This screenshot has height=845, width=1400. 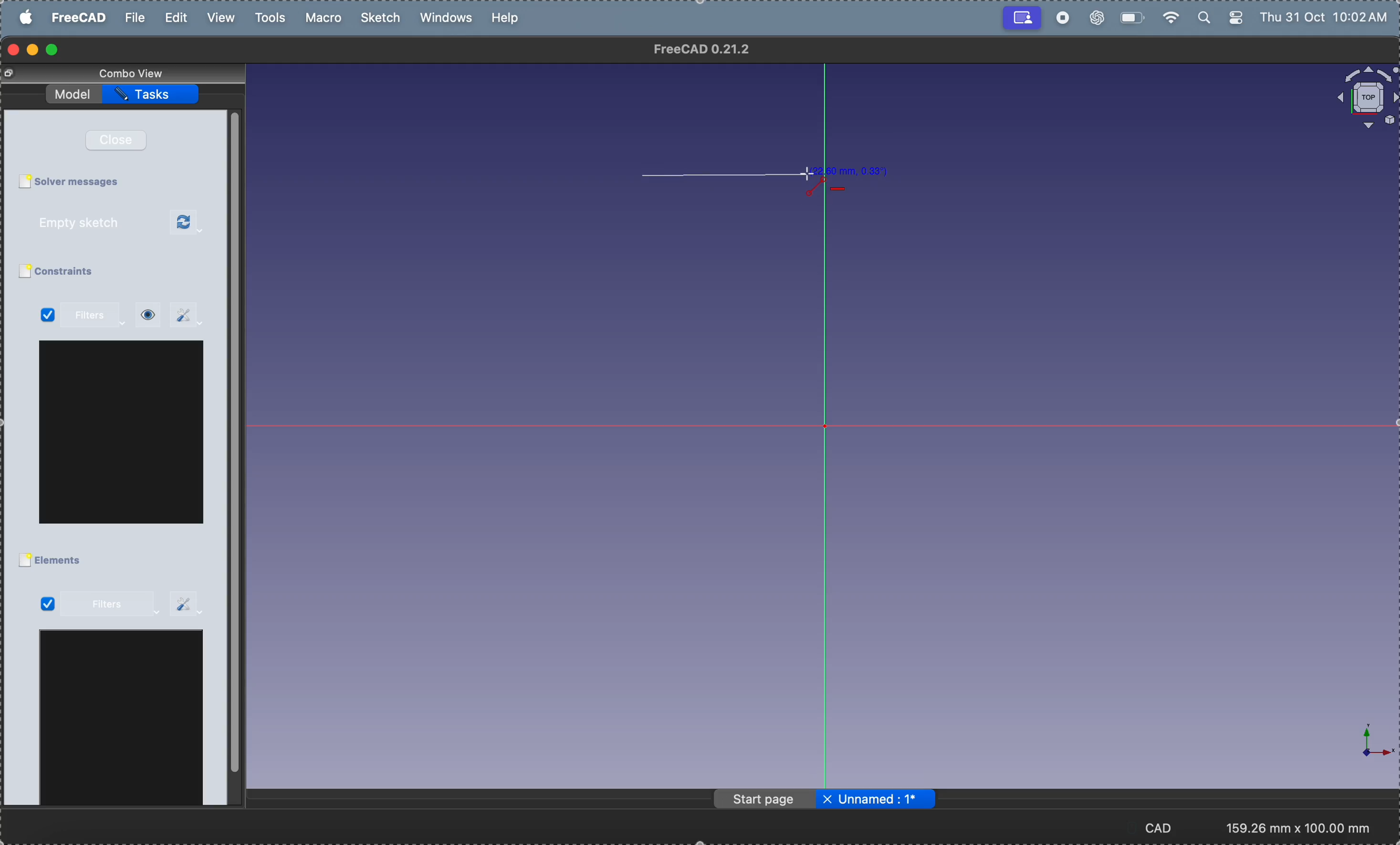 What do you see at coordinates (74, 92) in the screenshot?
I see `model` at bounding box center [74, 92].